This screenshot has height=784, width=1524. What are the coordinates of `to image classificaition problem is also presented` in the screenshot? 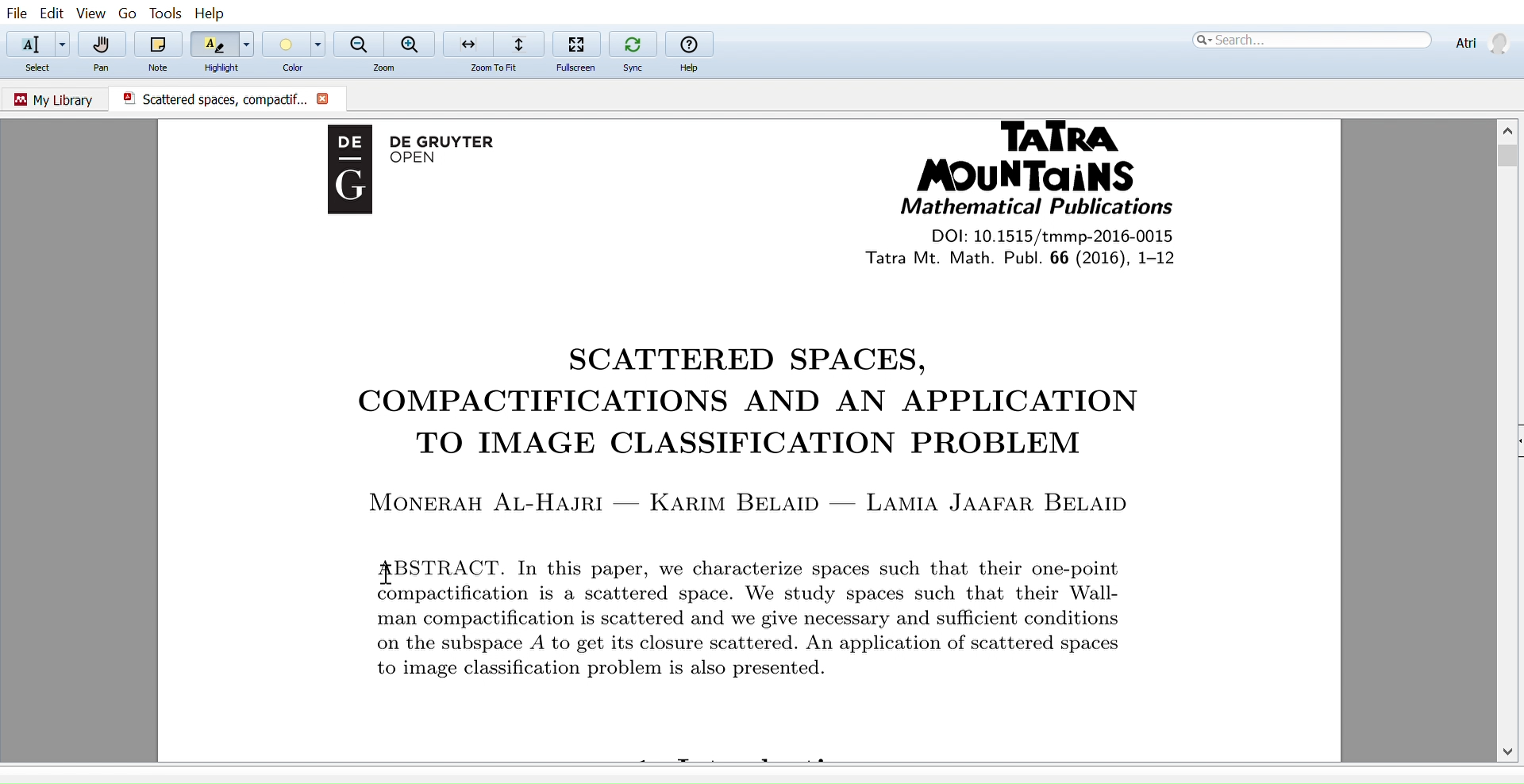 It's located at (598, 669).